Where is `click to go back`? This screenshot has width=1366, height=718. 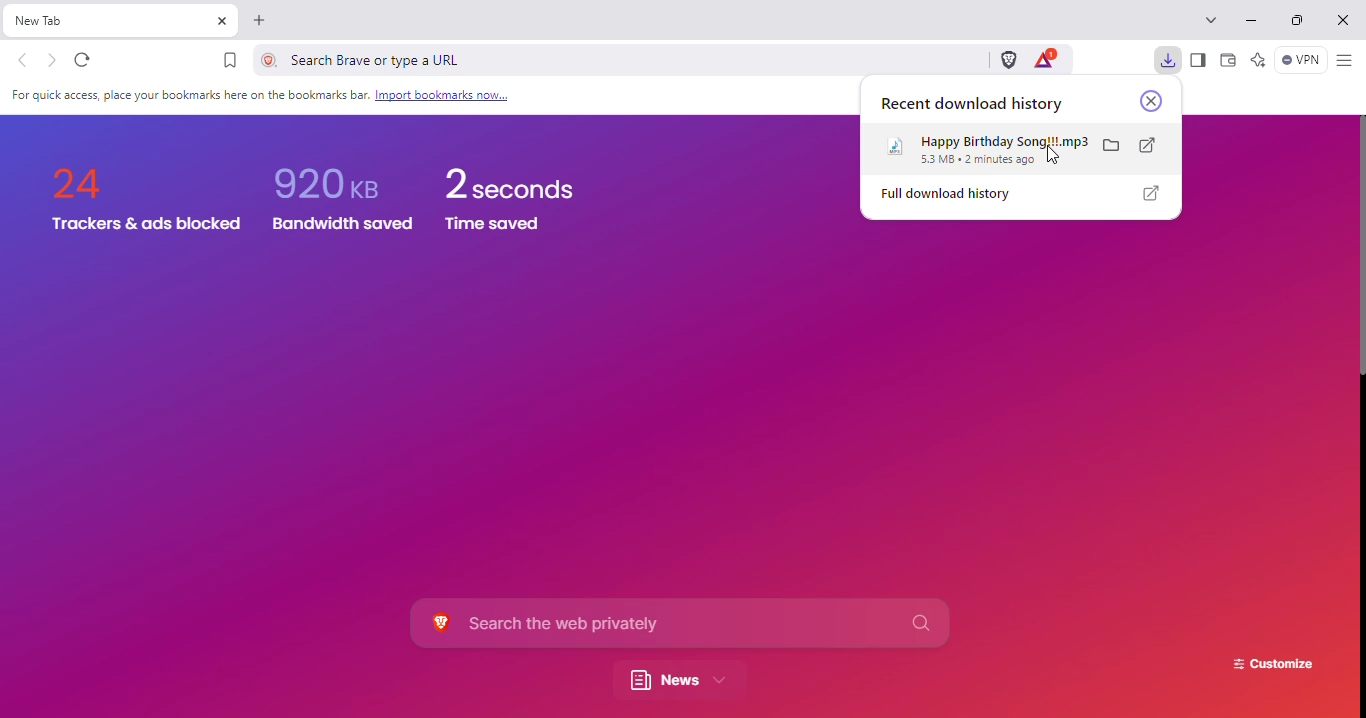
click to go back is located at coordinates (23, 60).